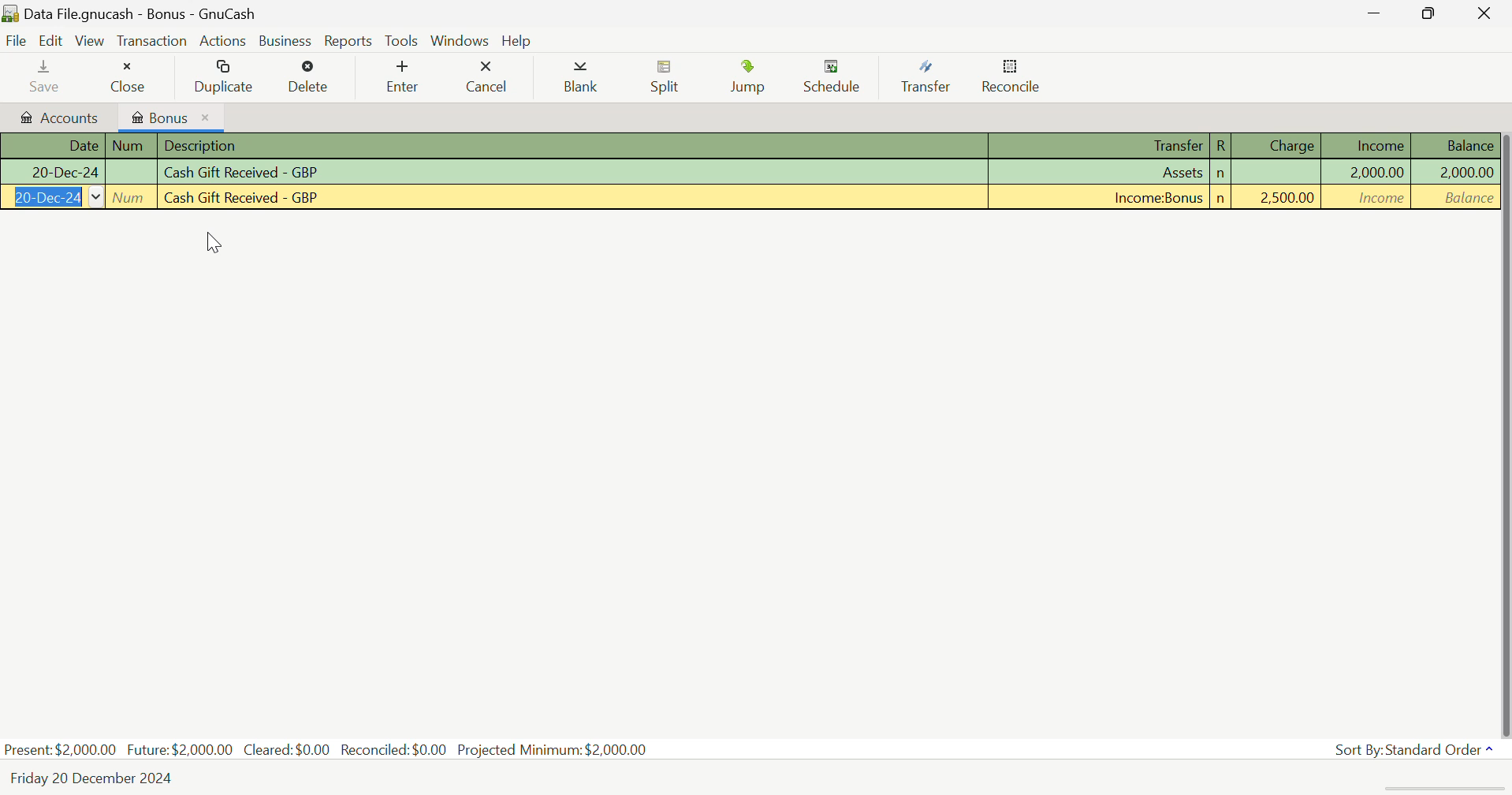 The height and width of the screenshot is (795, 1512). I want to click on Split, so click(666, 79).